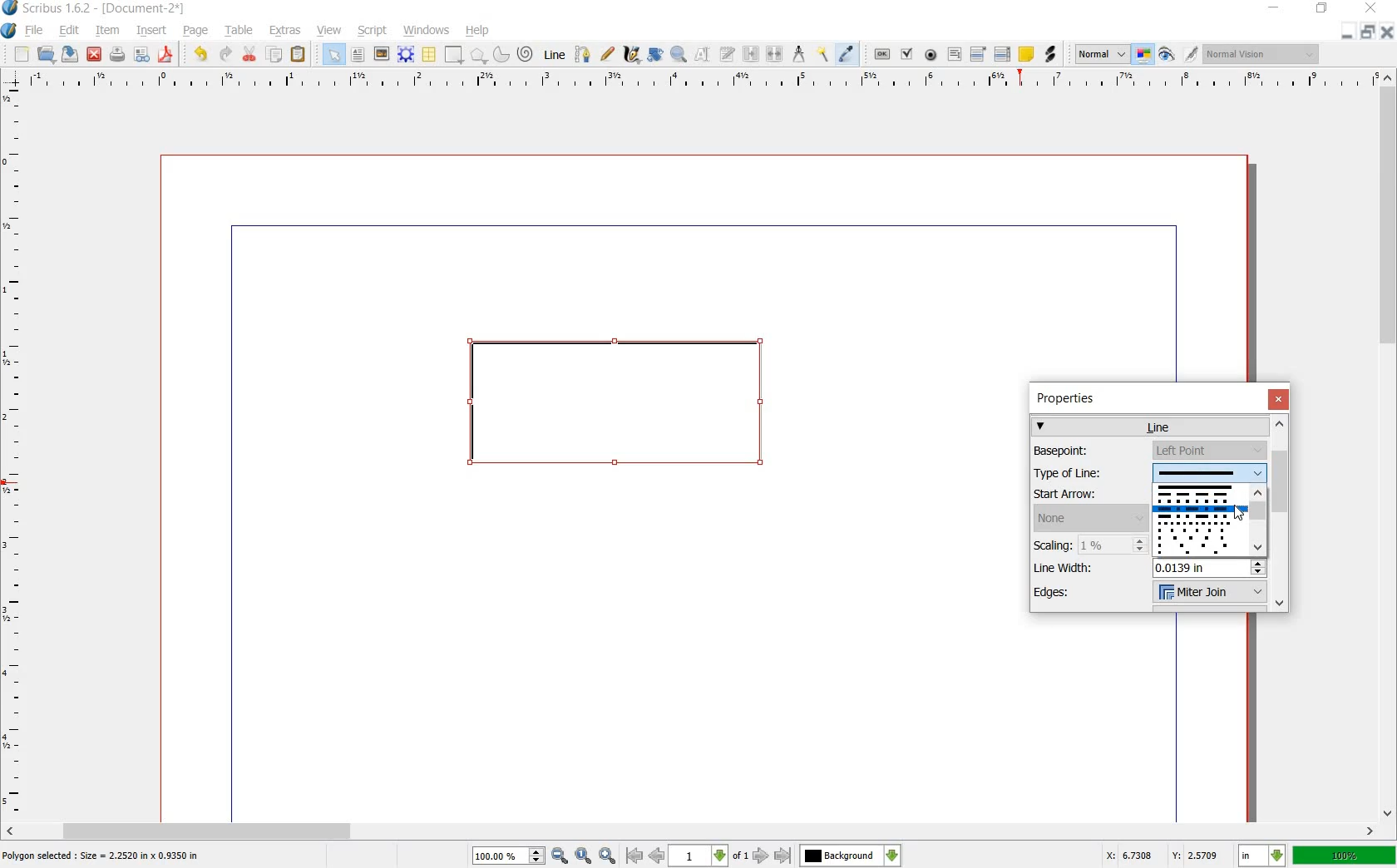 The image size is (1397, 868). What do you see at coordinates (240, 32) in the screenshot?
I see `TABLE` at bounding box center [240, 32].